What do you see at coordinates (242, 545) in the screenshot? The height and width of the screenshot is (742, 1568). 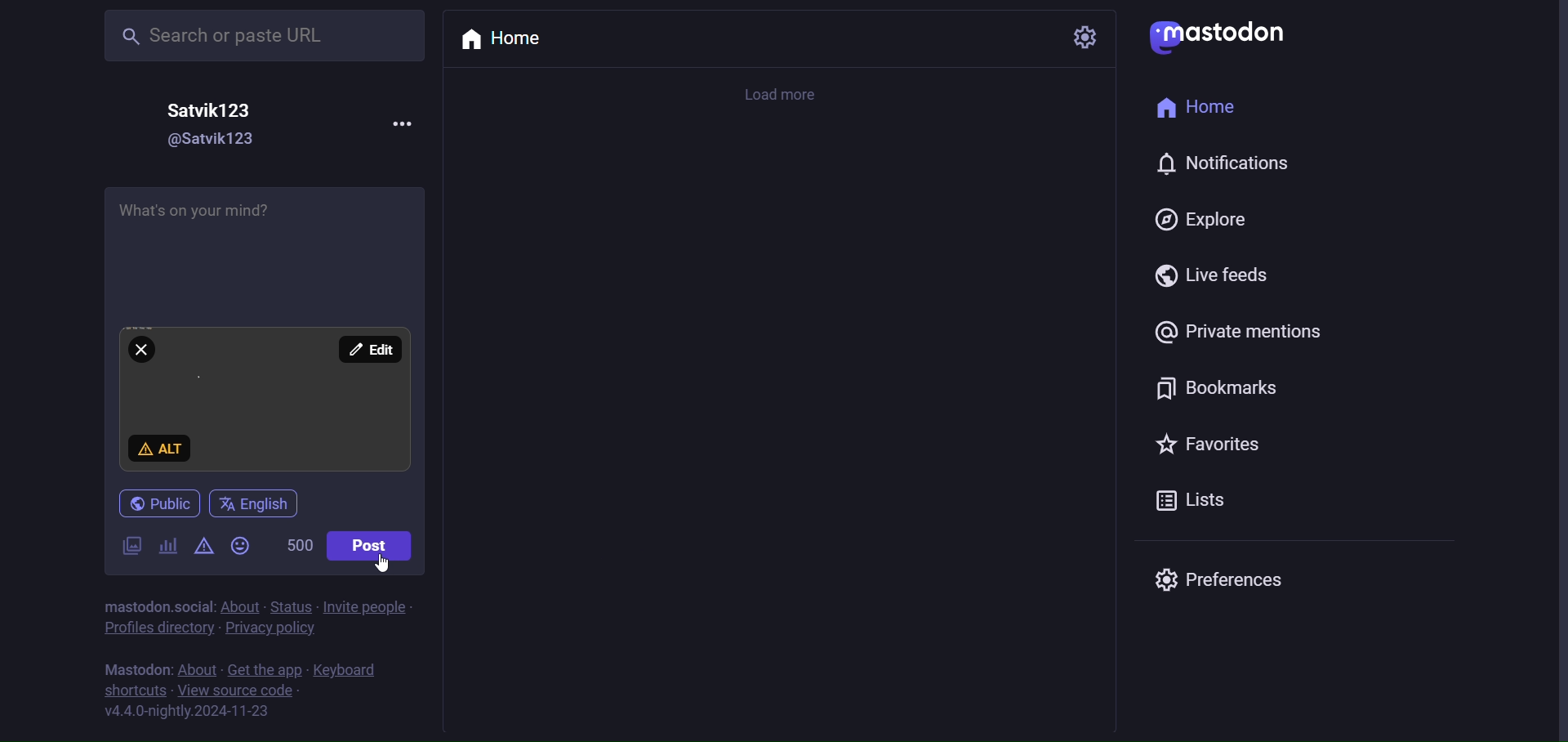 I see `emoji` at bounding box center [242, 545].